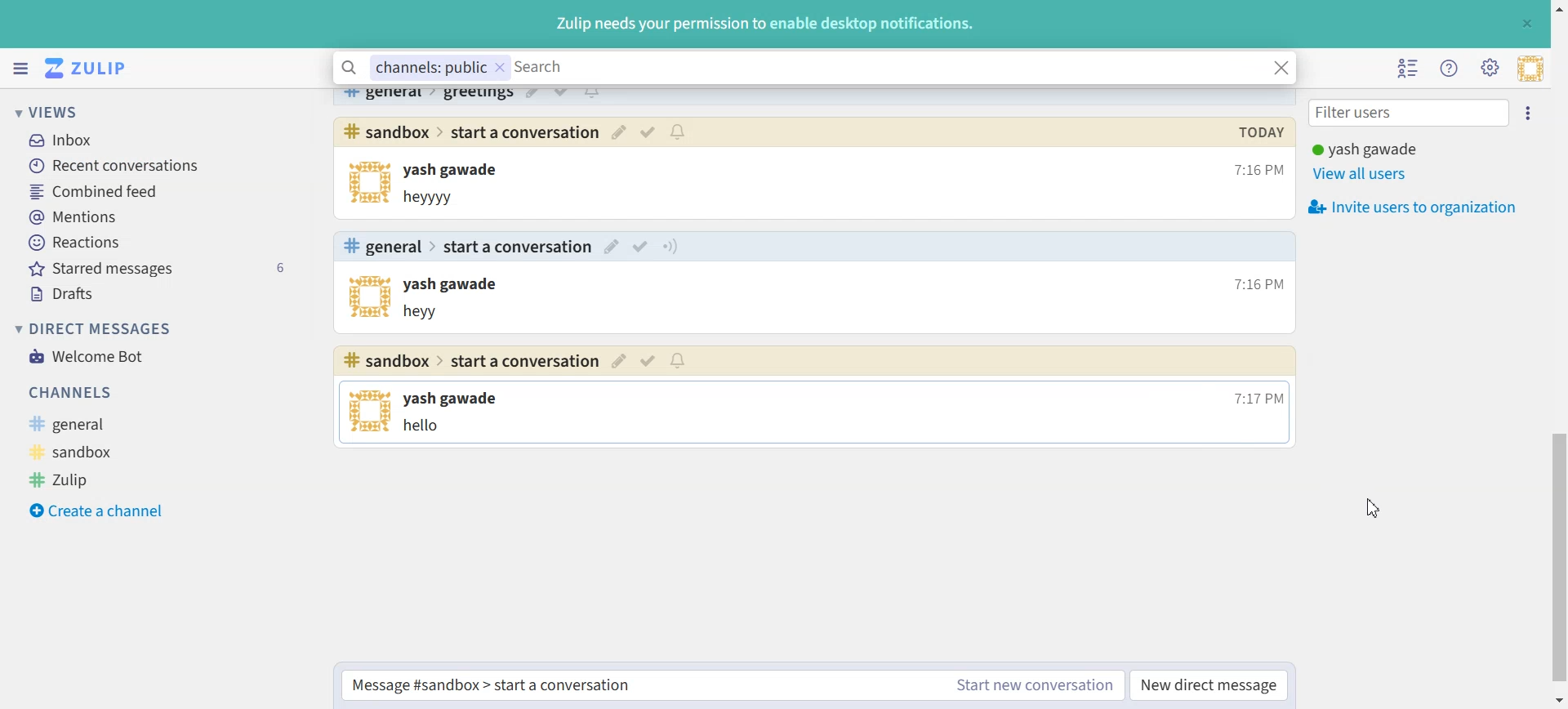  Describe the element at coordinates (439, 198) in the screenshot. I see `heyyyy` at that location.